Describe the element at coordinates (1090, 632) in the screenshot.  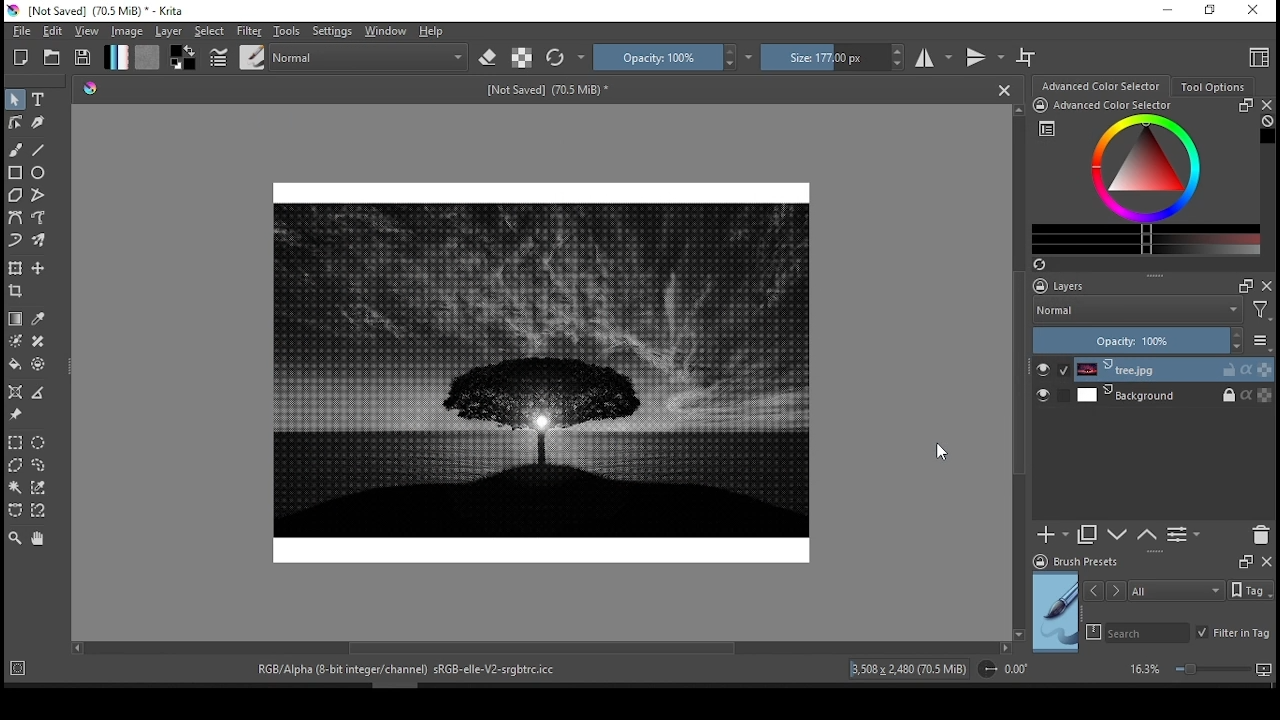
I see `search` at that location.